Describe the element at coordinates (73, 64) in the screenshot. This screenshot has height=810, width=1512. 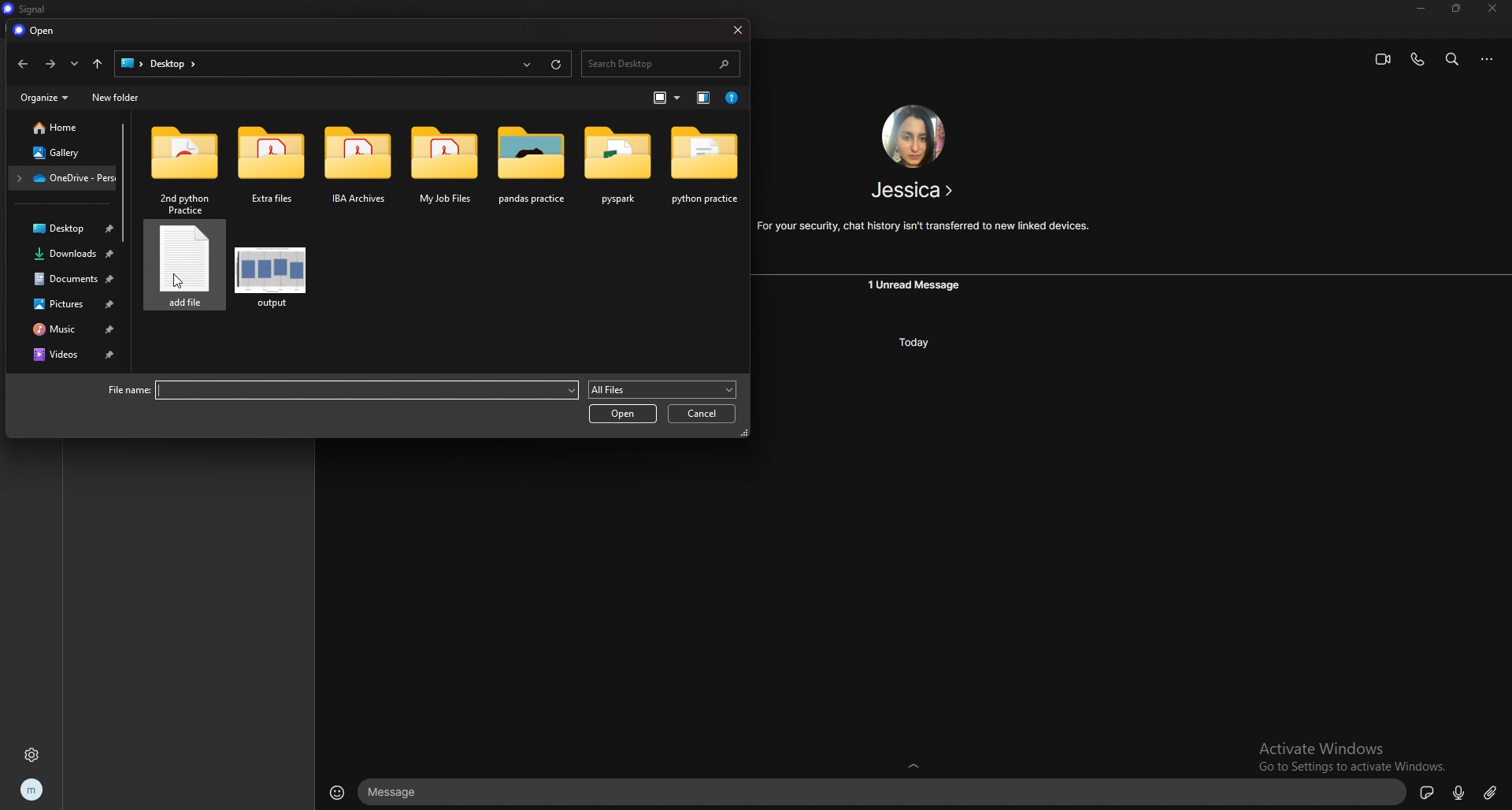
I see `recent` at that location.